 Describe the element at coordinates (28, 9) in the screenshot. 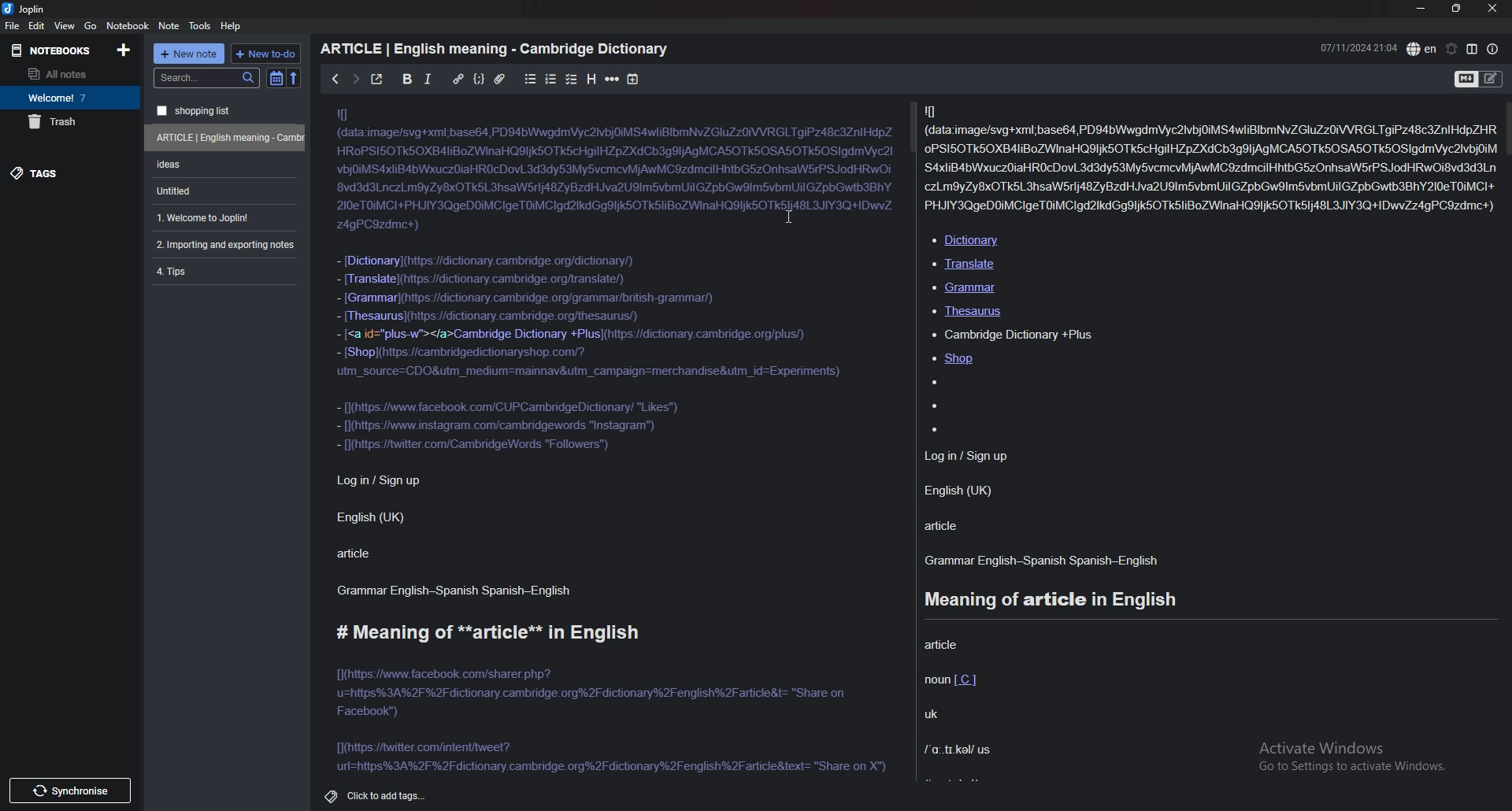

I see `joplin` at that location.